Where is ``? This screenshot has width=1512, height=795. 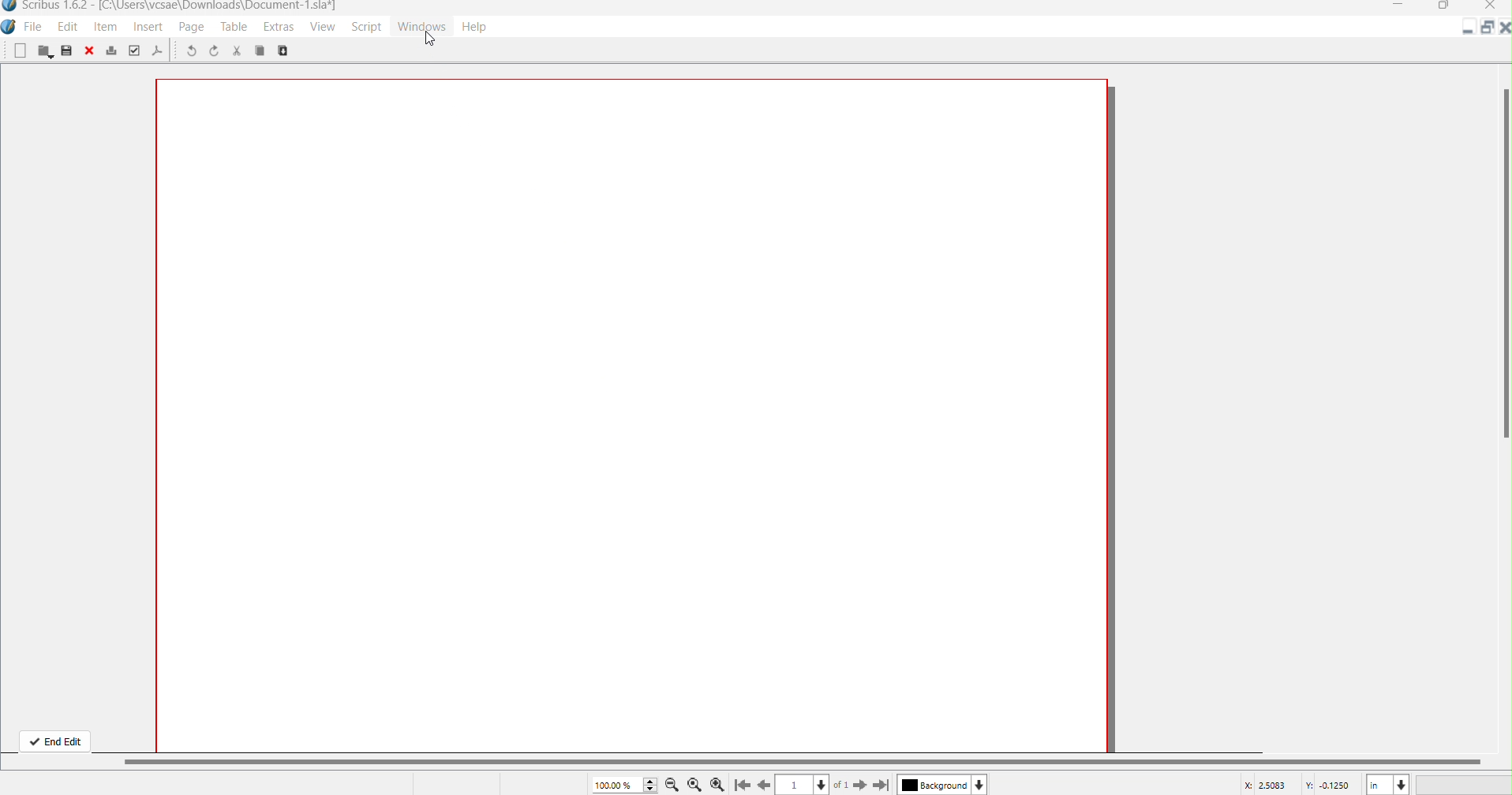  is located at coordinates (159, 51).